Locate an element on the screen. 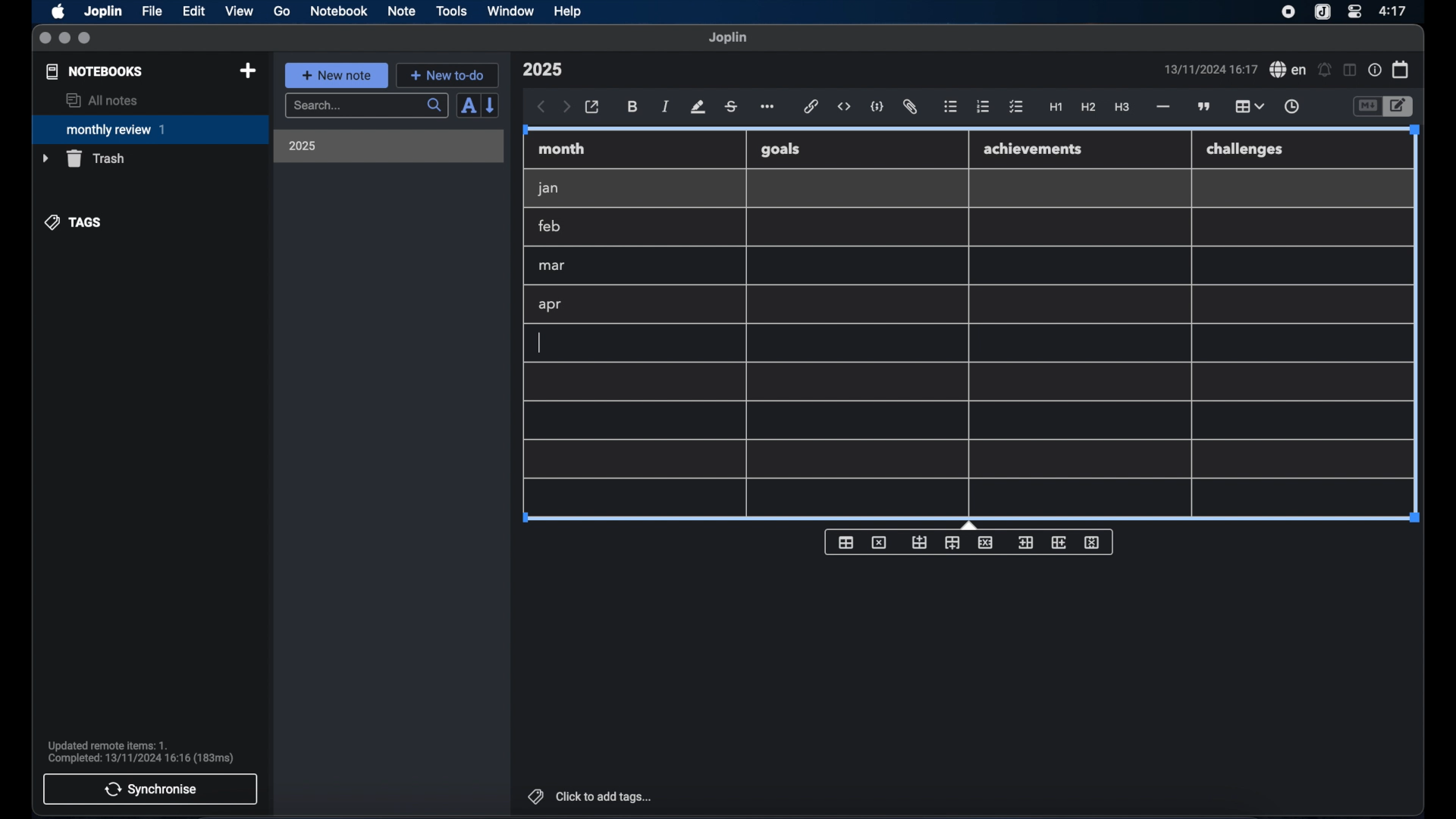  screen recorder icon is located at coordinates (1288, 12).